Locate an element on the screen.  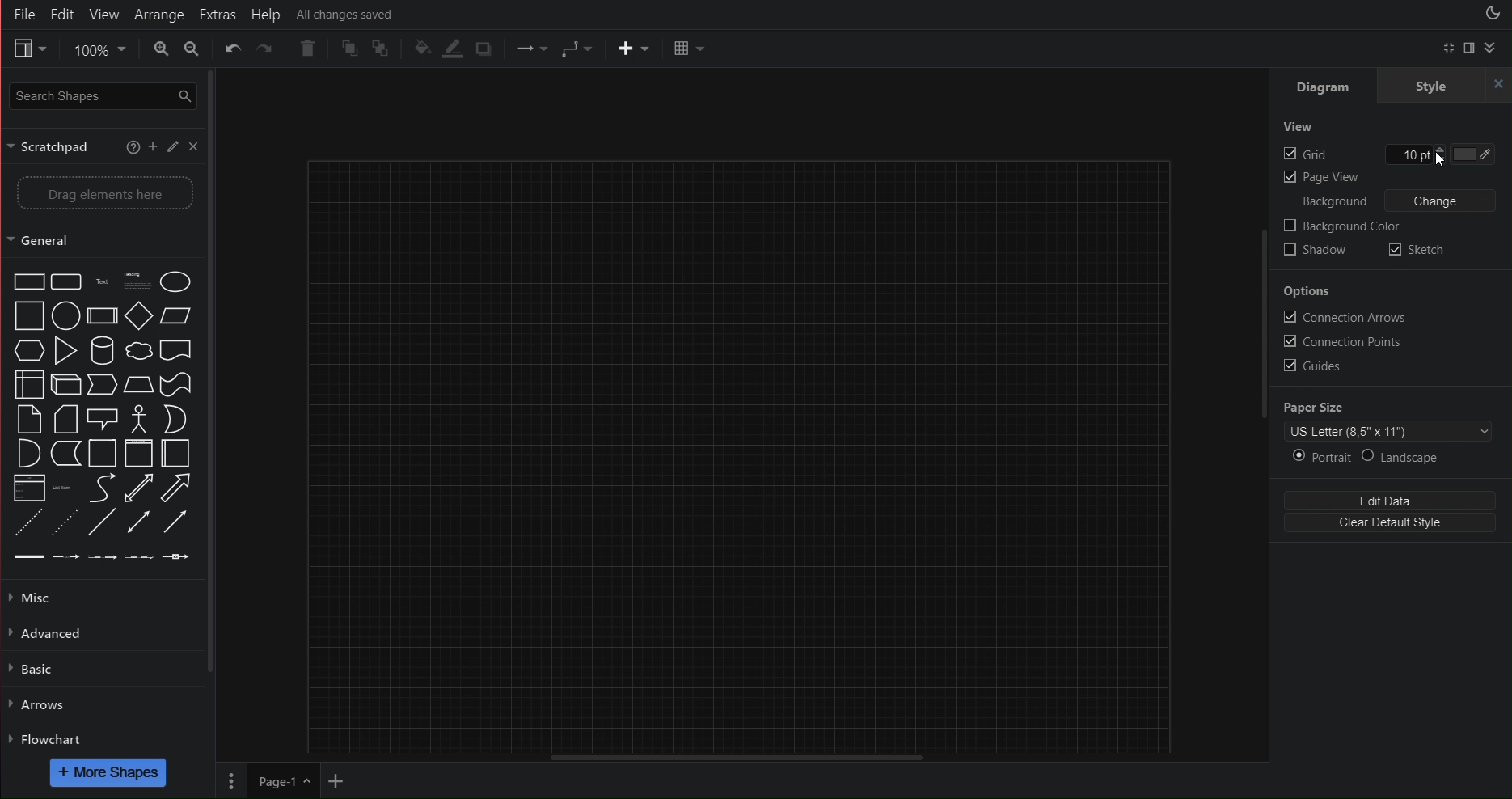
diamond is located at coordinates (136, 313).